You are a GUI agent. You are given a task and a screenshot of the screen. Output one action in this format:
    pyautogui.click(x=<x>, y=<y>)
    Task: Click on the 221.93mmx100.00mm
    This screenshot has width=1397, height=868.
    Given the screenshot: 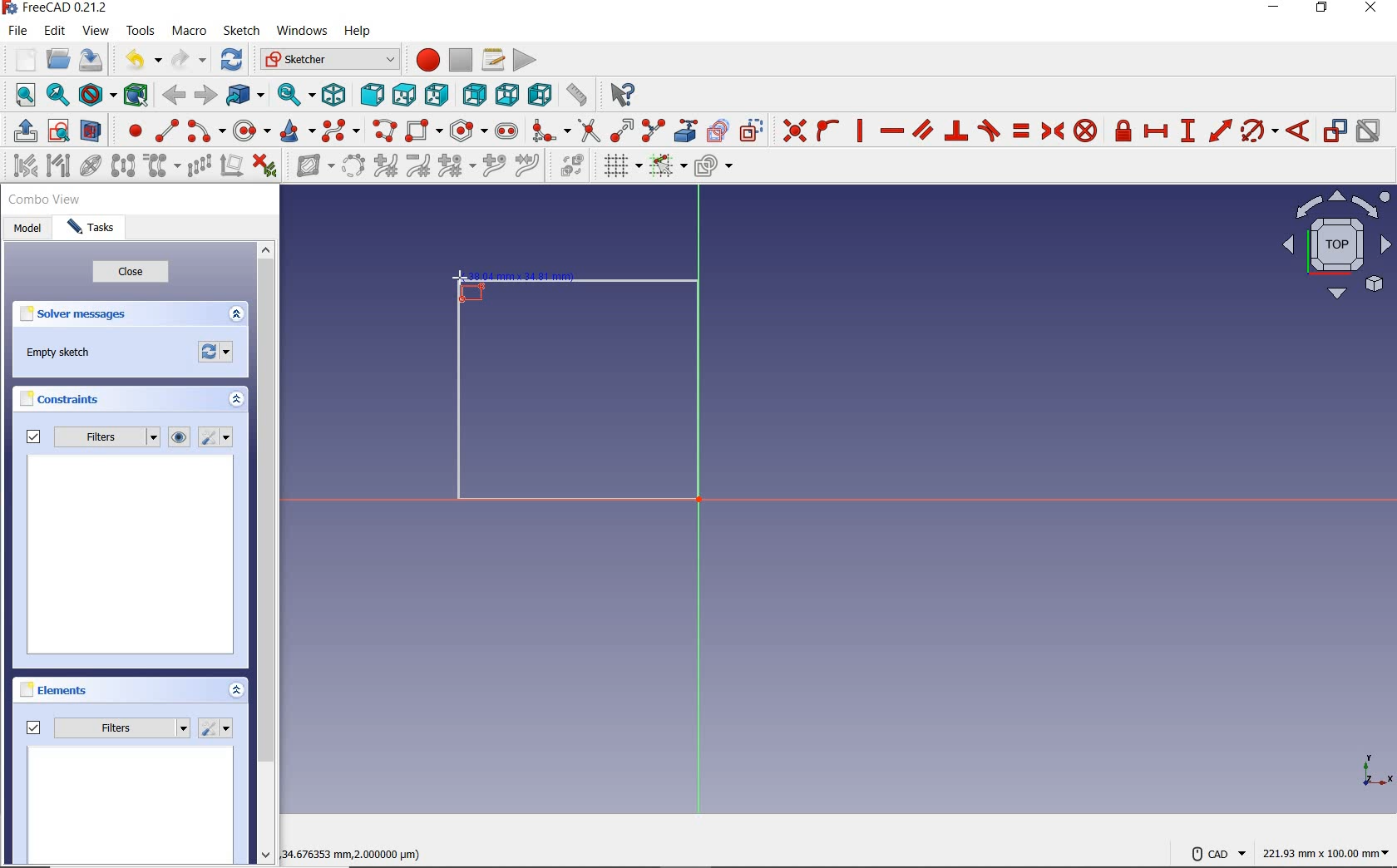 What is the action you would take?
    pyautogui.click(x=1325, y=853)
    